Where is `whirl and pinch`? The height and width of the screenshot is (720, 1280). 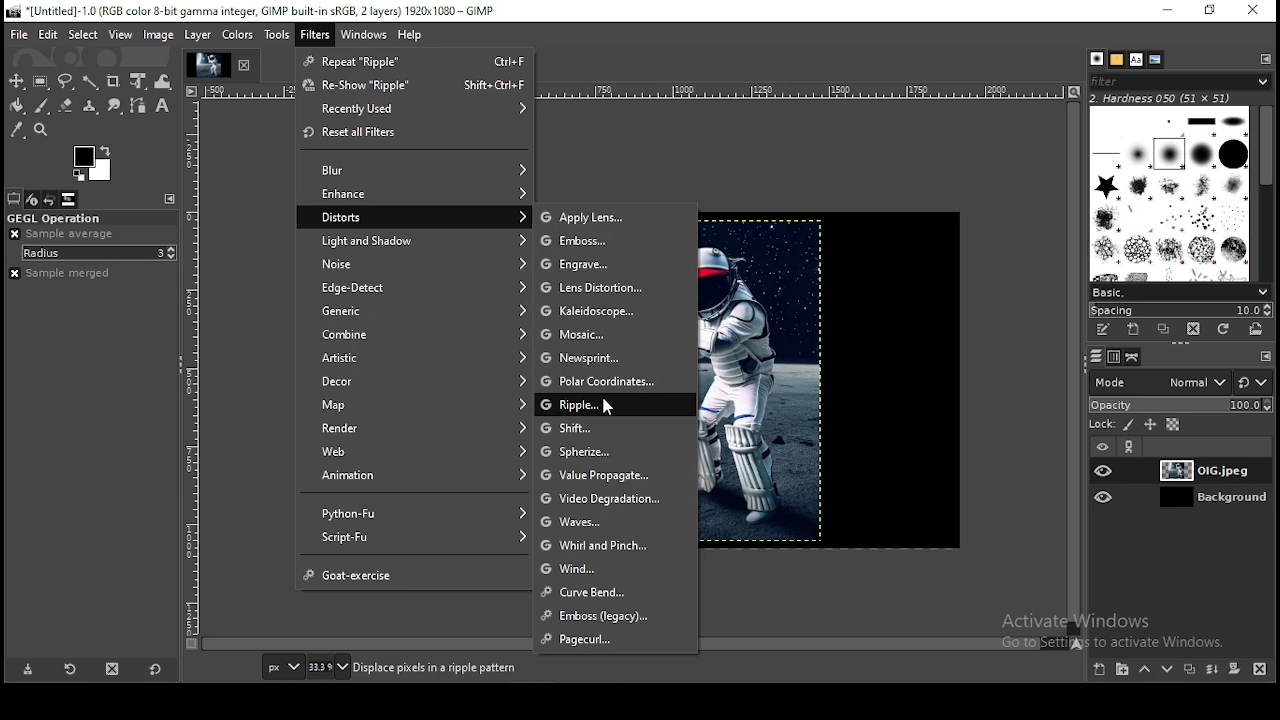 whirl and pinch is located at coordinates (601, 542).